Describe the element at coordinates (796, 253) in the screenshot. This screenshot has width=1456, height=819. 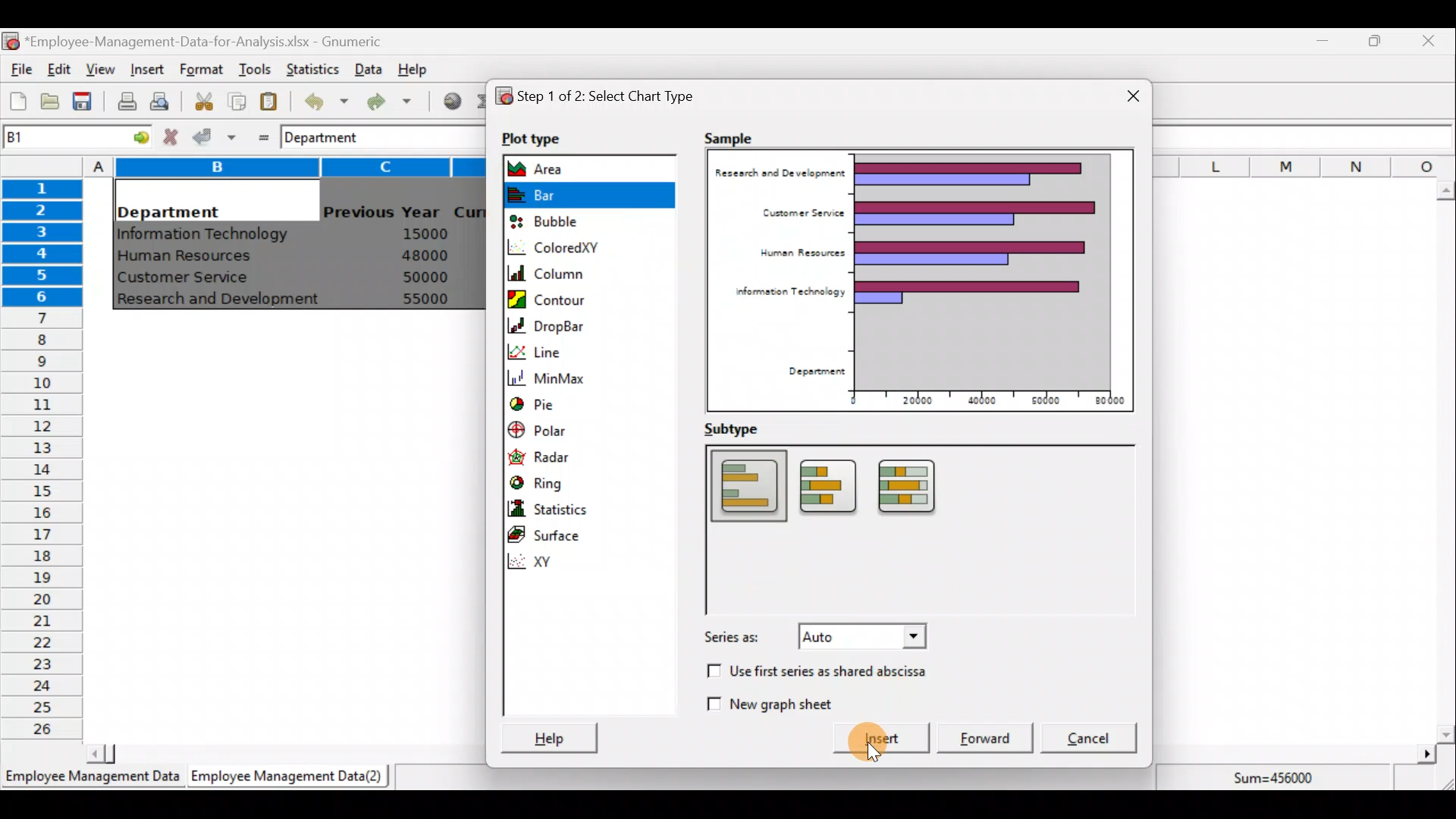
I see `Human Resources` at that location.